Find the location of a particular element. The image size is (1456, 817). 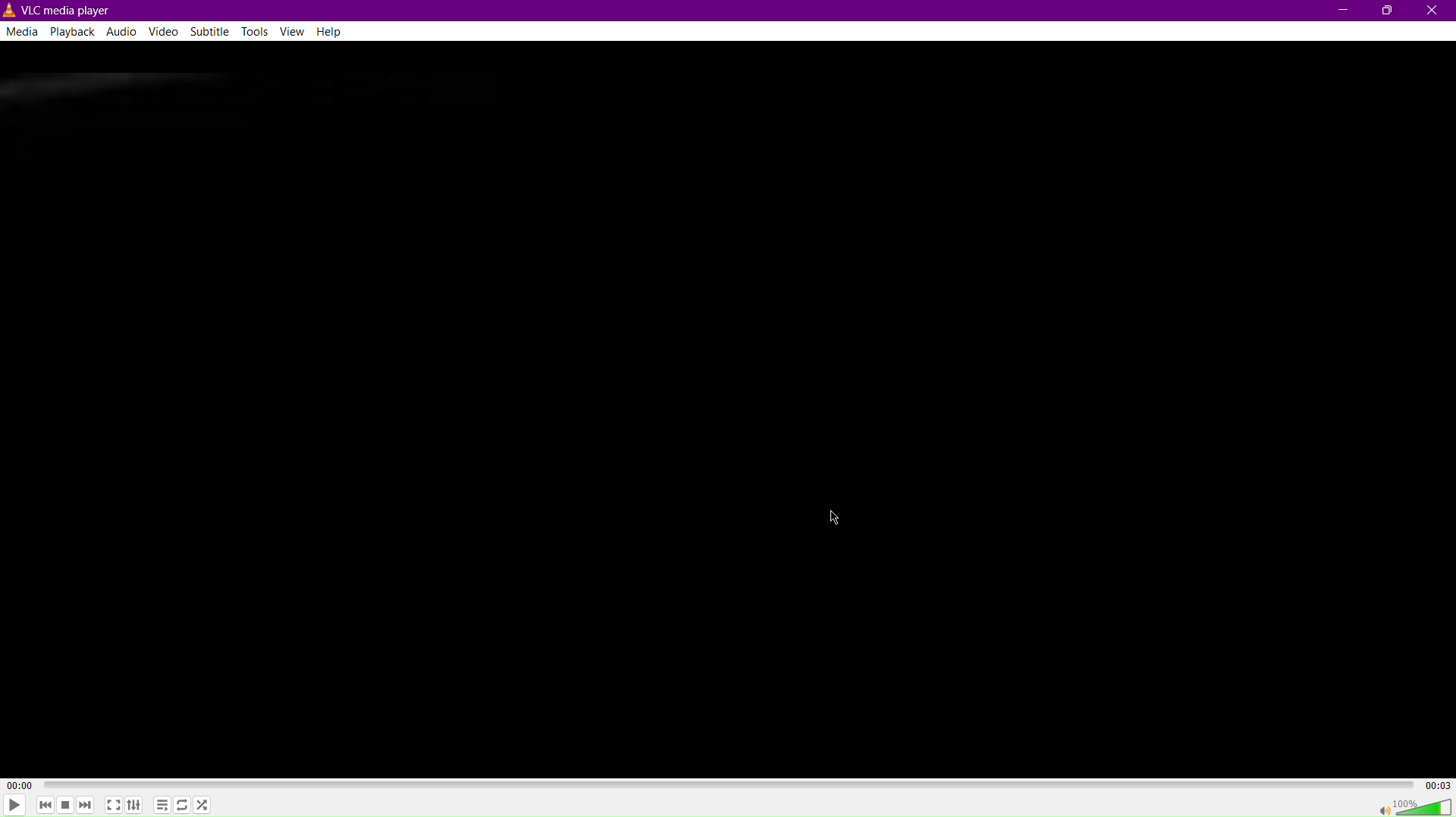

Elapsed time is located at coordinates (17, 784).